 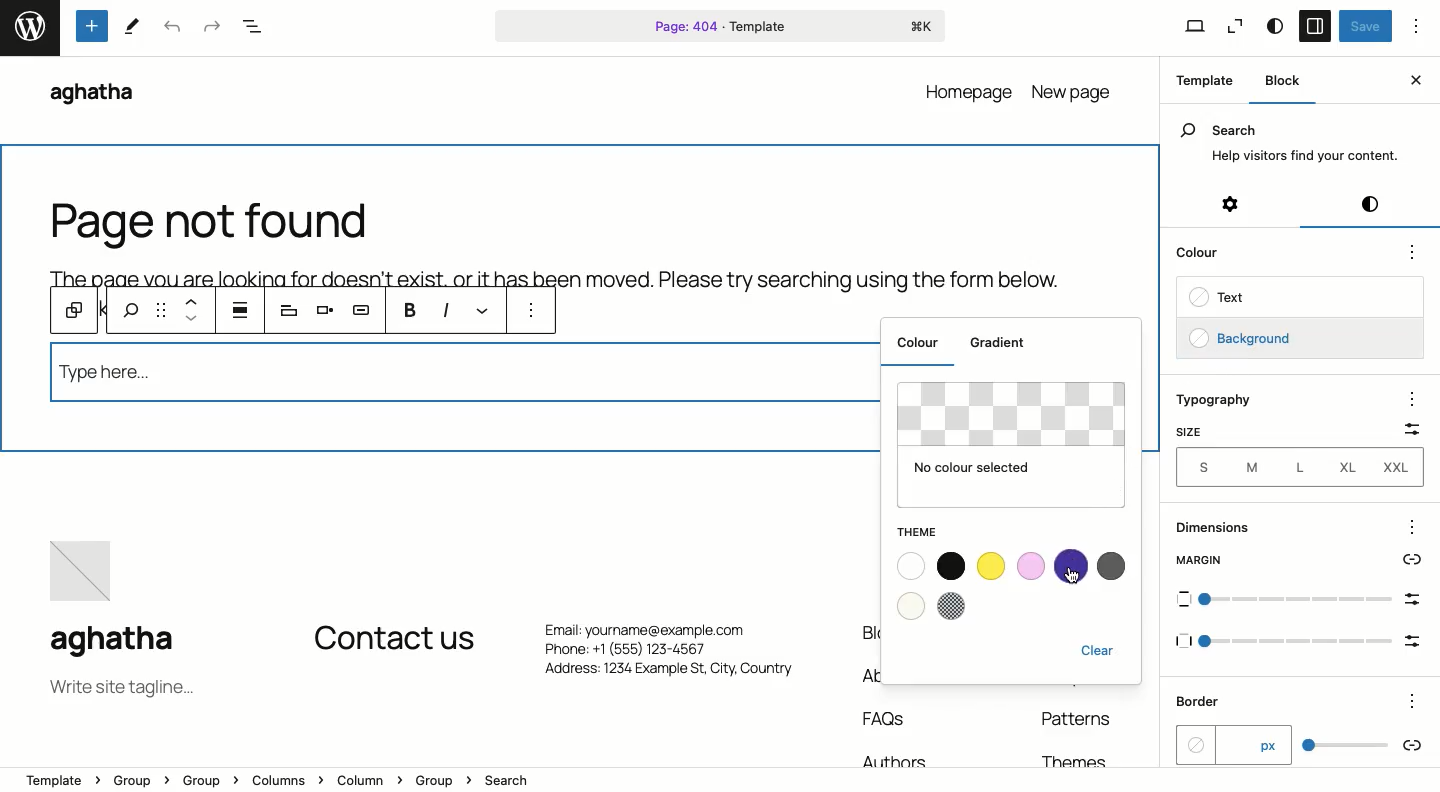 I want to click on , so click(x=550, y=279).